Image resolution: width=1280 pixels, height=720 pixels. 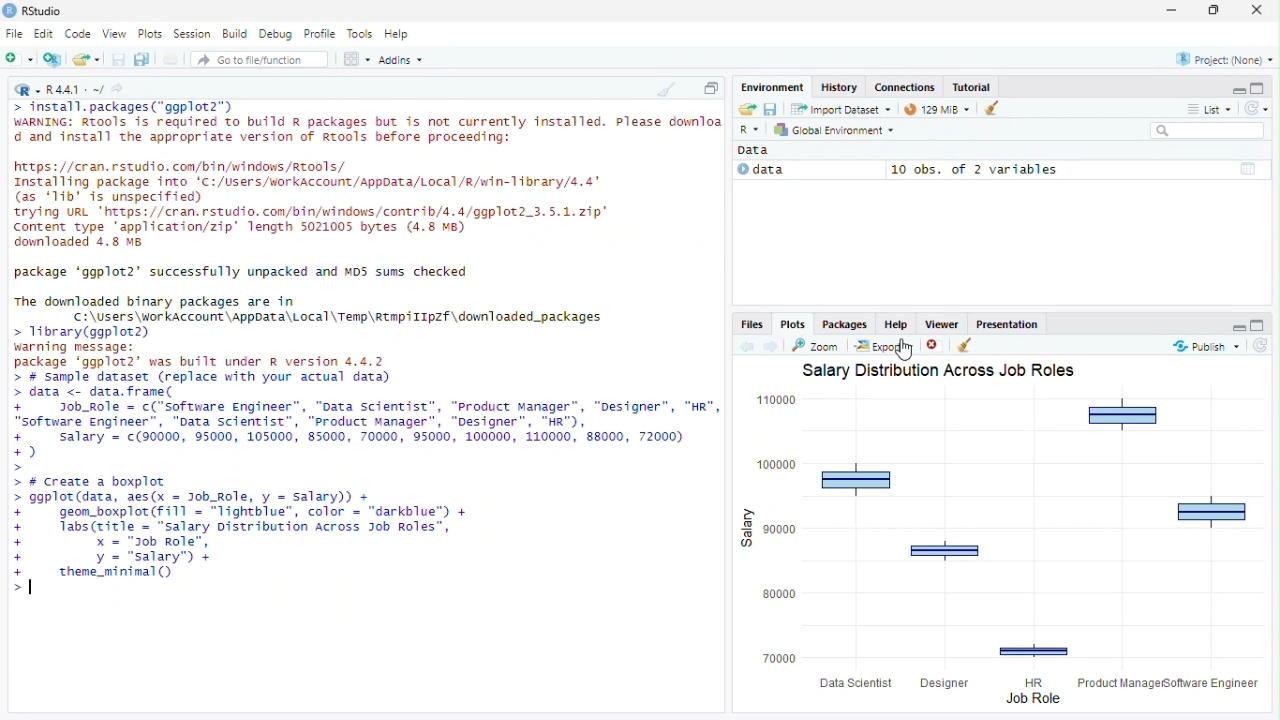 What do you see at coordinates (46, 11) in the screenshot?
I see `RStudio` at bounding box center [46, 11].